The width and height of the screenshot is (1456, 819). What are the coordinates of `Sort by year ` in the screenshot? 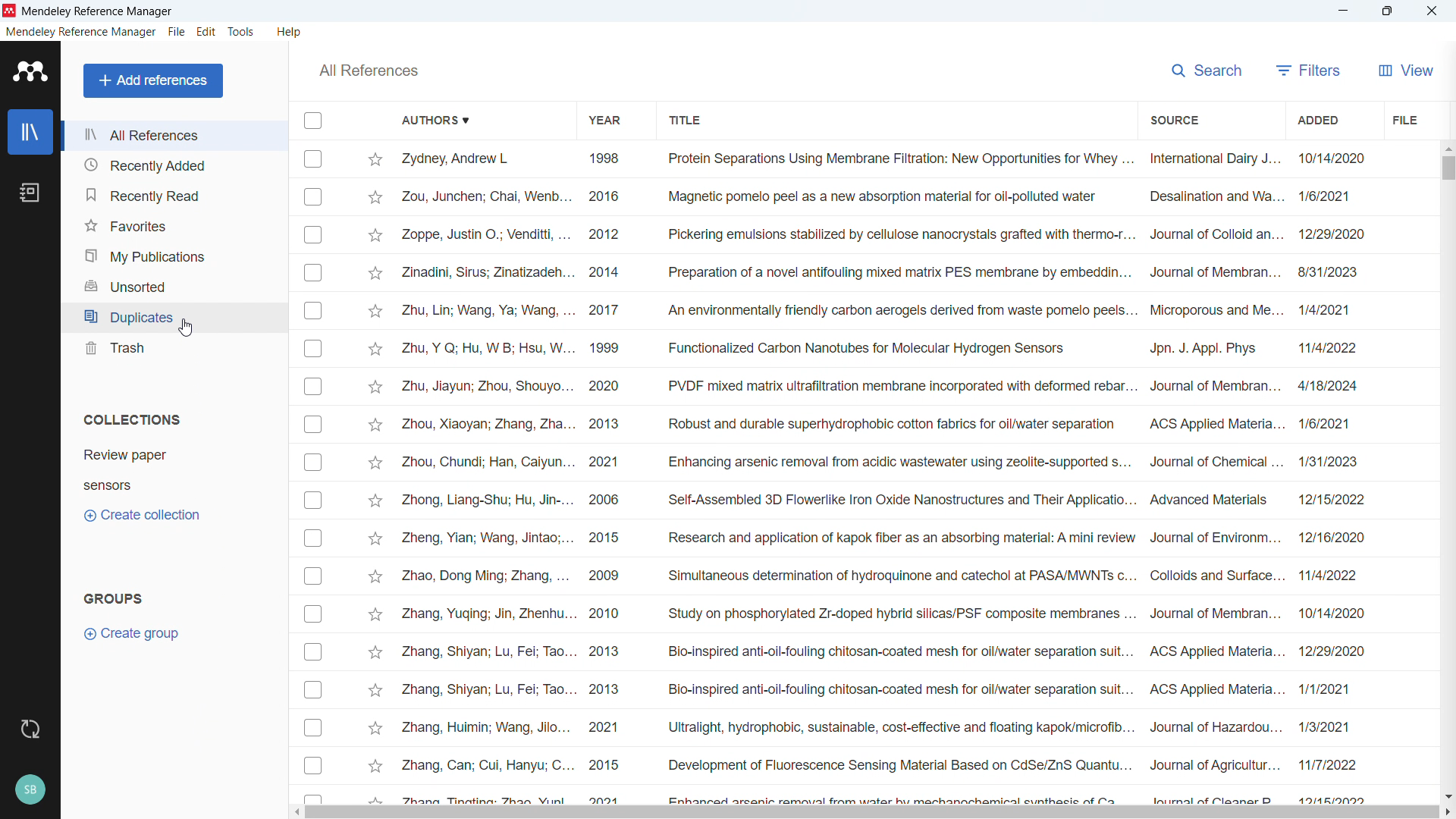 It's located at (607, 120).